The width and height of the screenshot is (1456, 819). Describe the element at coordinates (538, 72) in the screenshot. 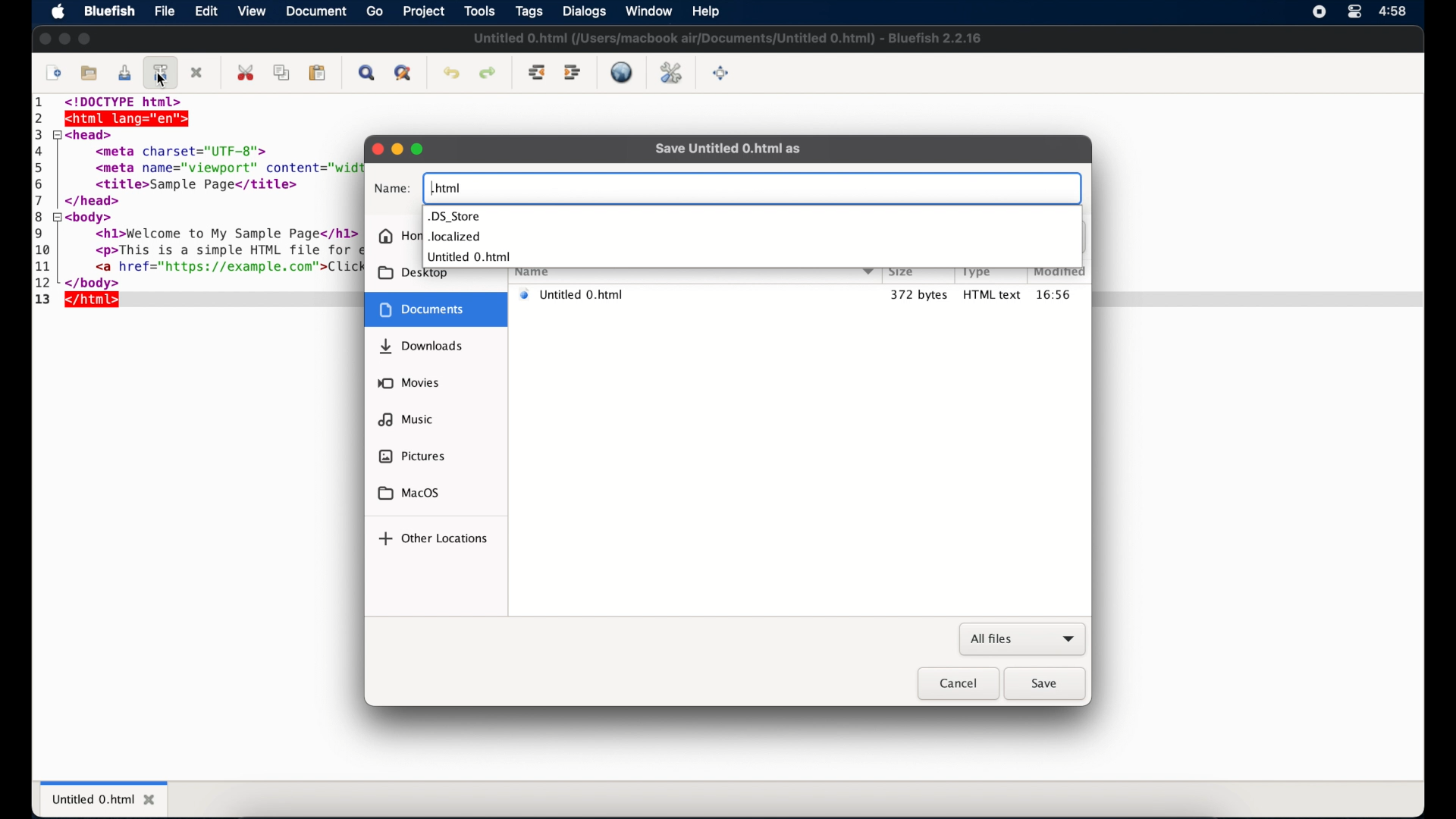

I see `unindent` at that location.